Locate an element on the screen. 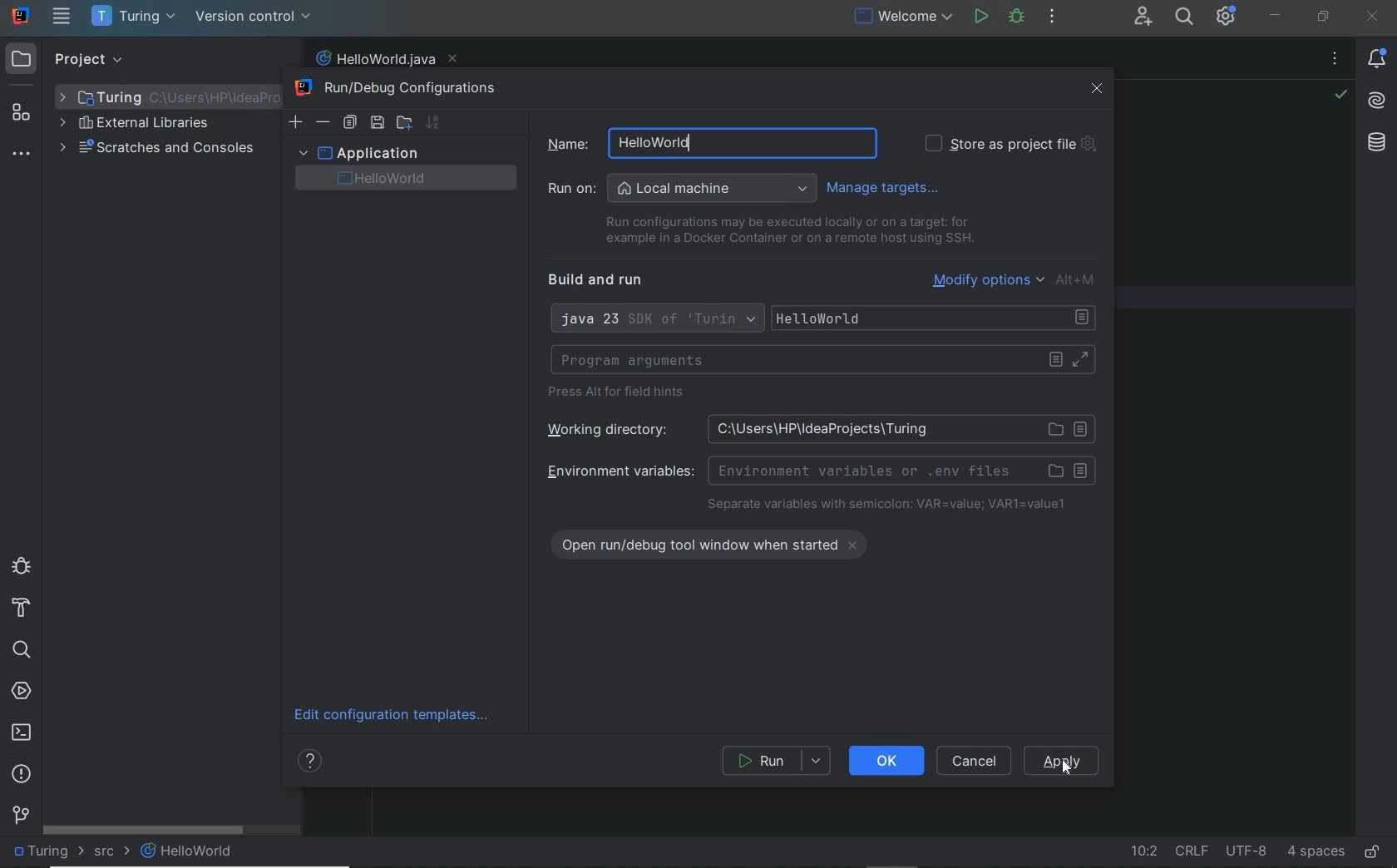 Image resolution: width=1397 pixels, height=868 pixels. code with me is located at coordinates (1144, 18).